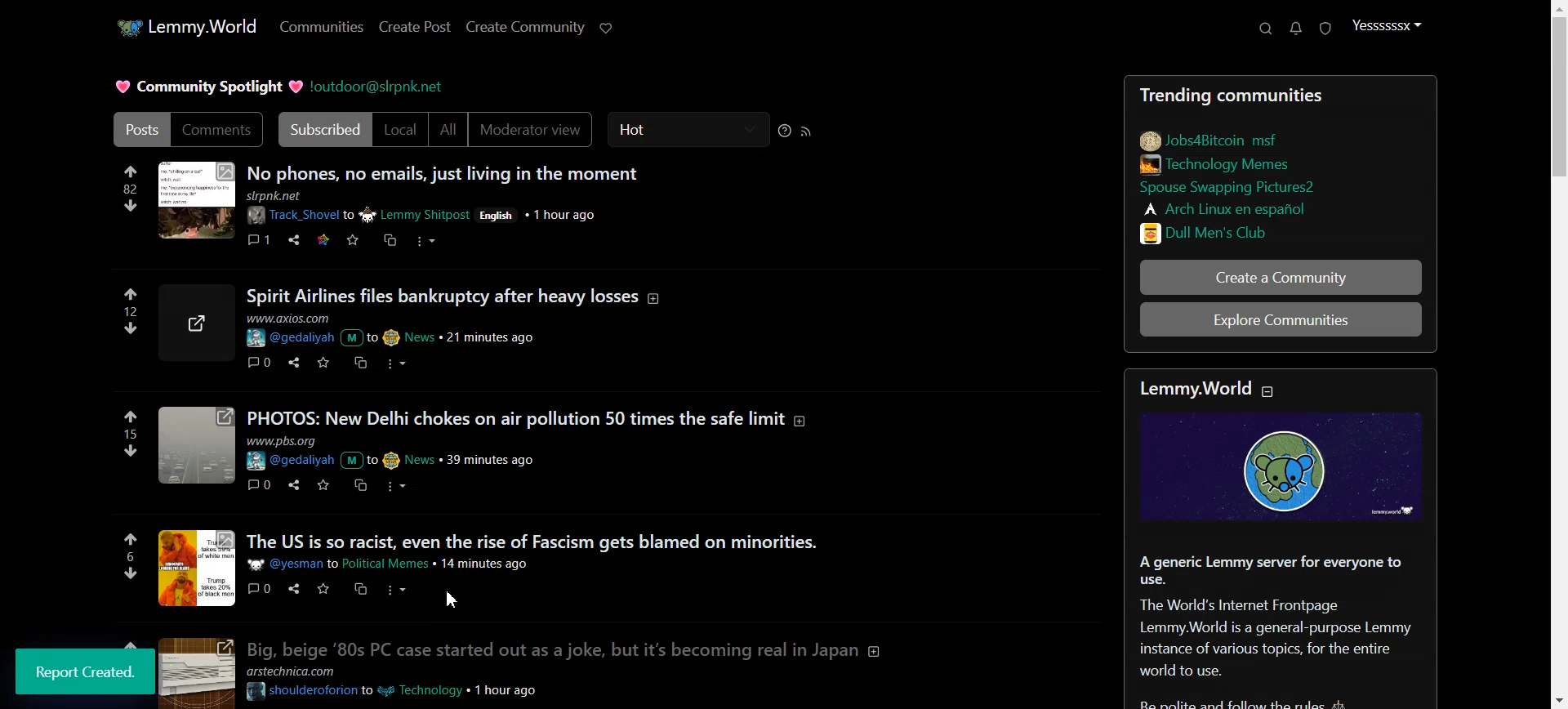 This screenshot has width=1568, height=709. I want to click on save, so click(321, 362).